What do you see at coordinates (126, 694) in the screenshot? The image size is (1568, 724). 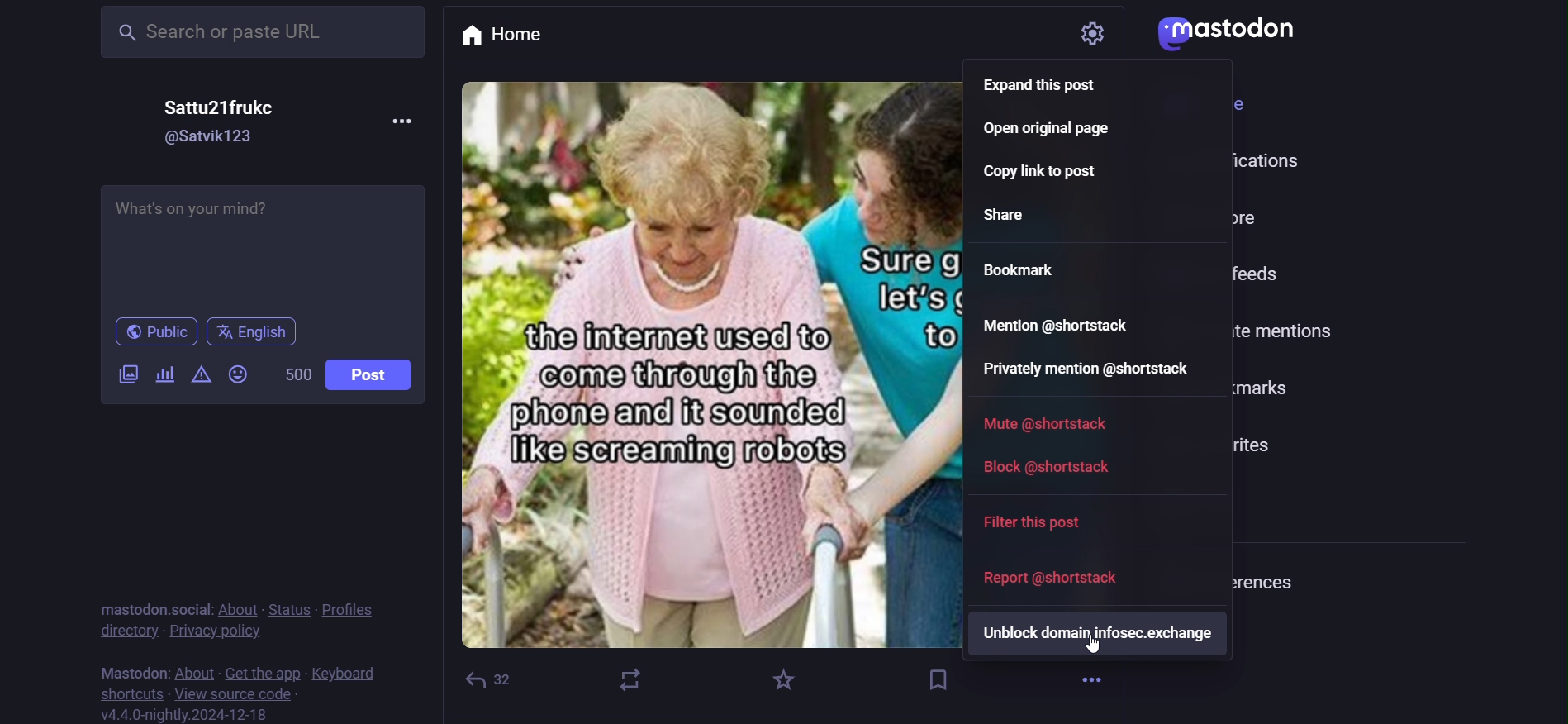 I see `shortcut` at bounding box center [126, 694].